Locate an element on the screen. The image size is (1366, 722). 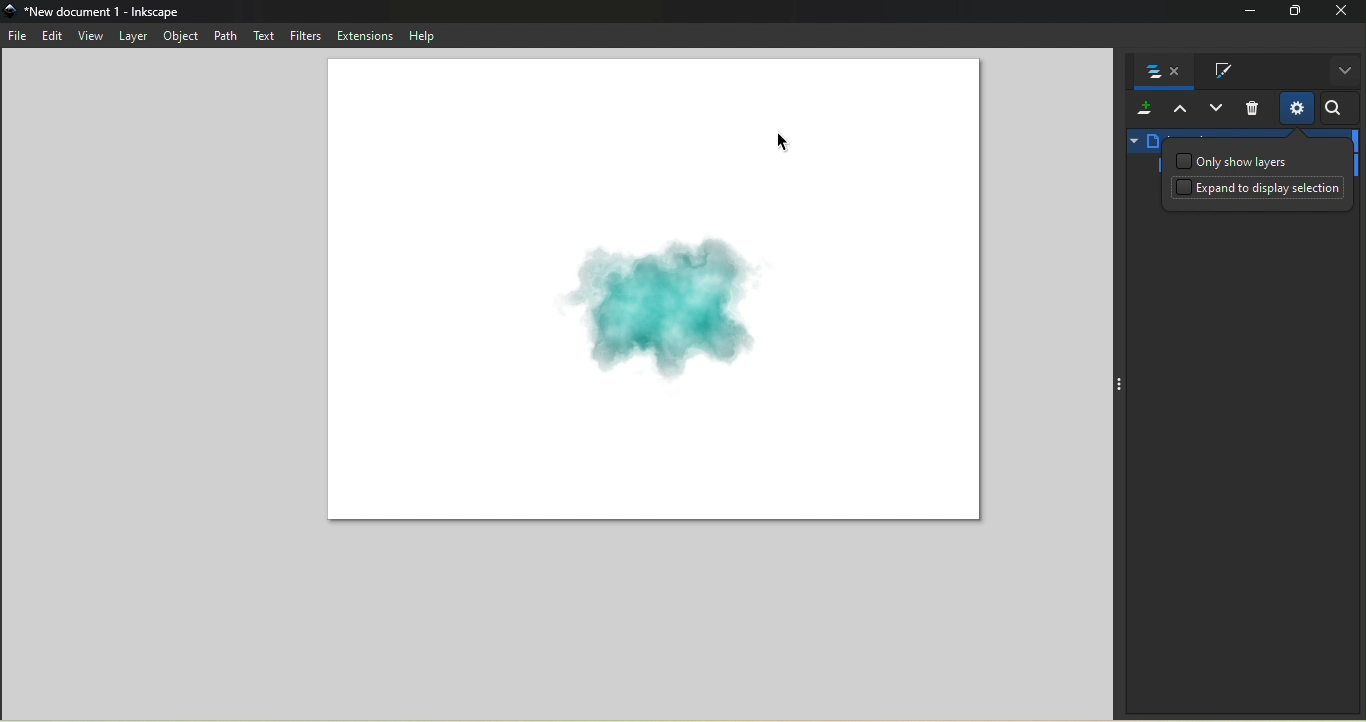
Close is located at coordinates (1343, 12).